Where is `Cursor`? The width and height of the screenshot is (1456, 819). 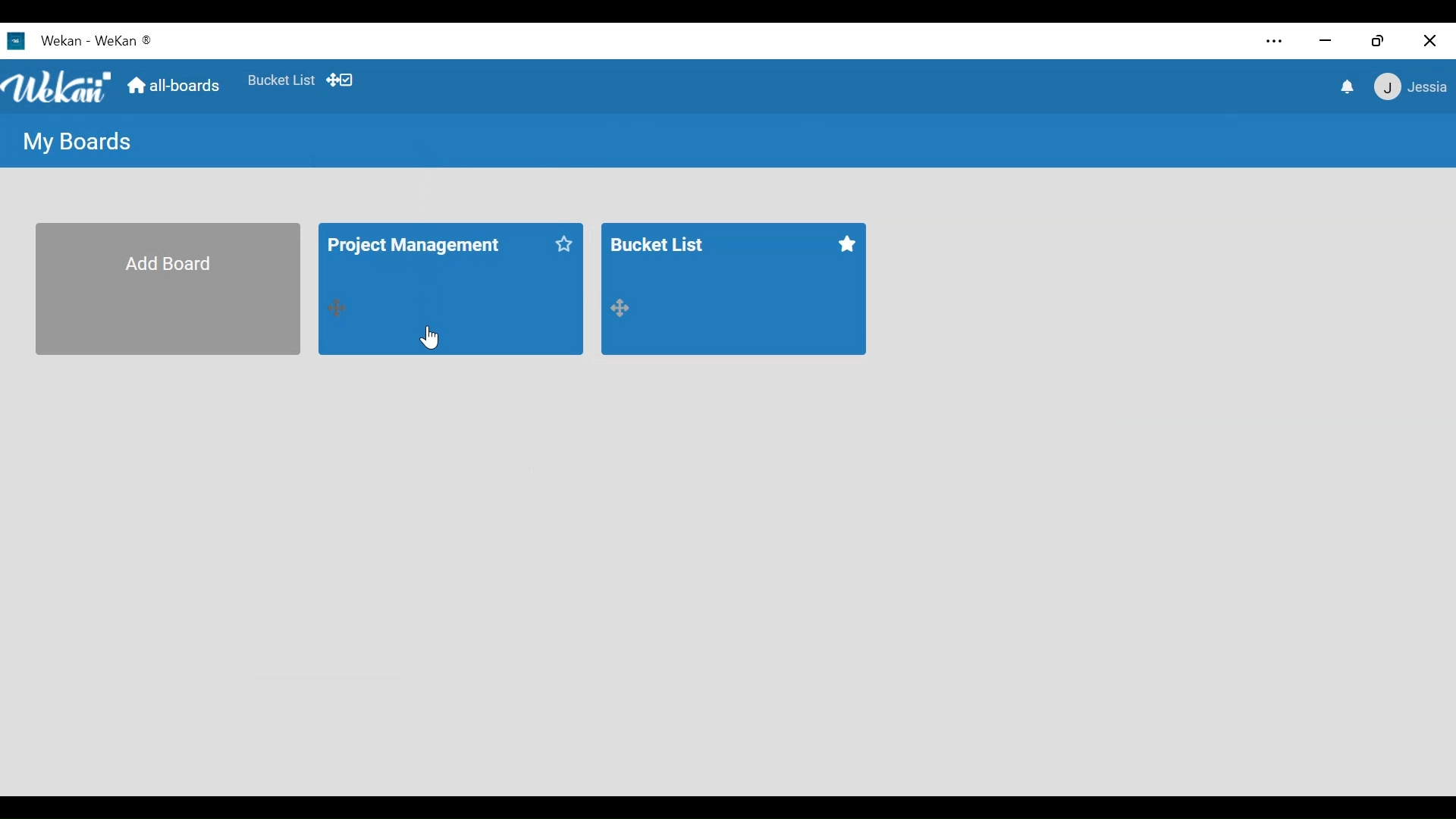
Cursor is located at coordinates (431, 337).